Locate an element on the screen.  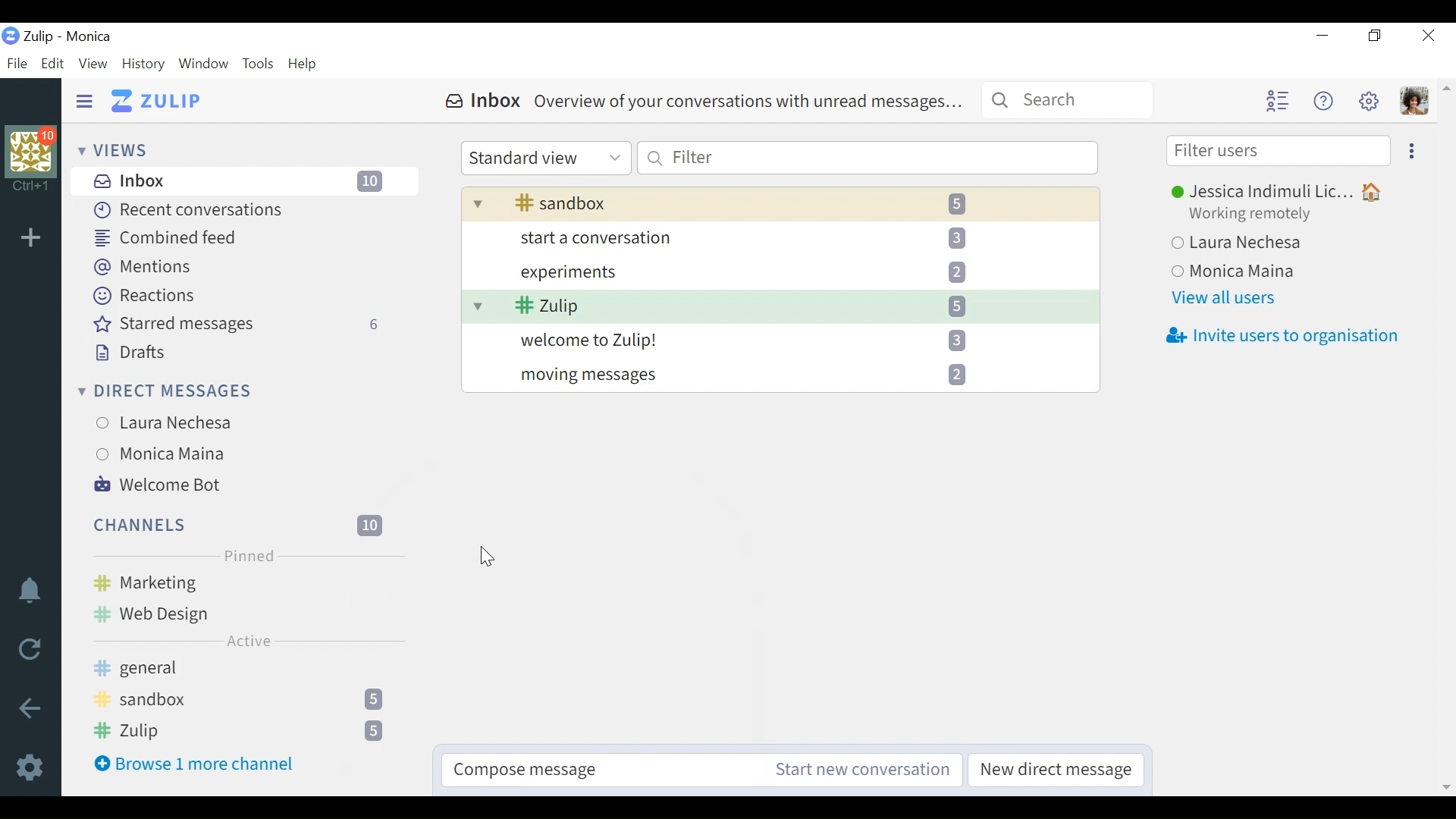
Welcome to Zulip! 3 is located at coordinates (780, 340).